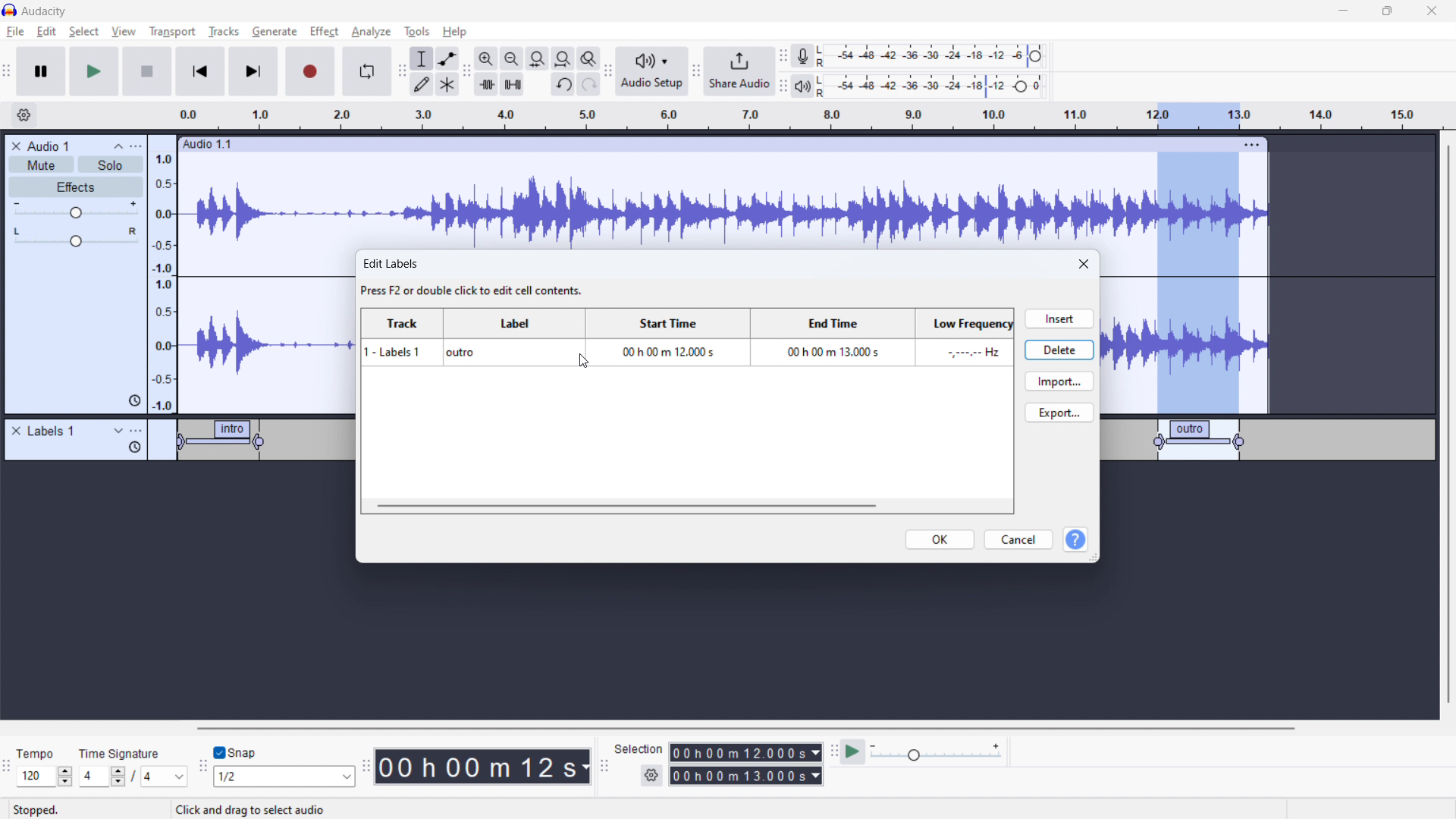 The height and width of the screenshot is (819, 1456). Describe the element at coordinates (275, 31) in the screenshot. I see `generate` at that location.